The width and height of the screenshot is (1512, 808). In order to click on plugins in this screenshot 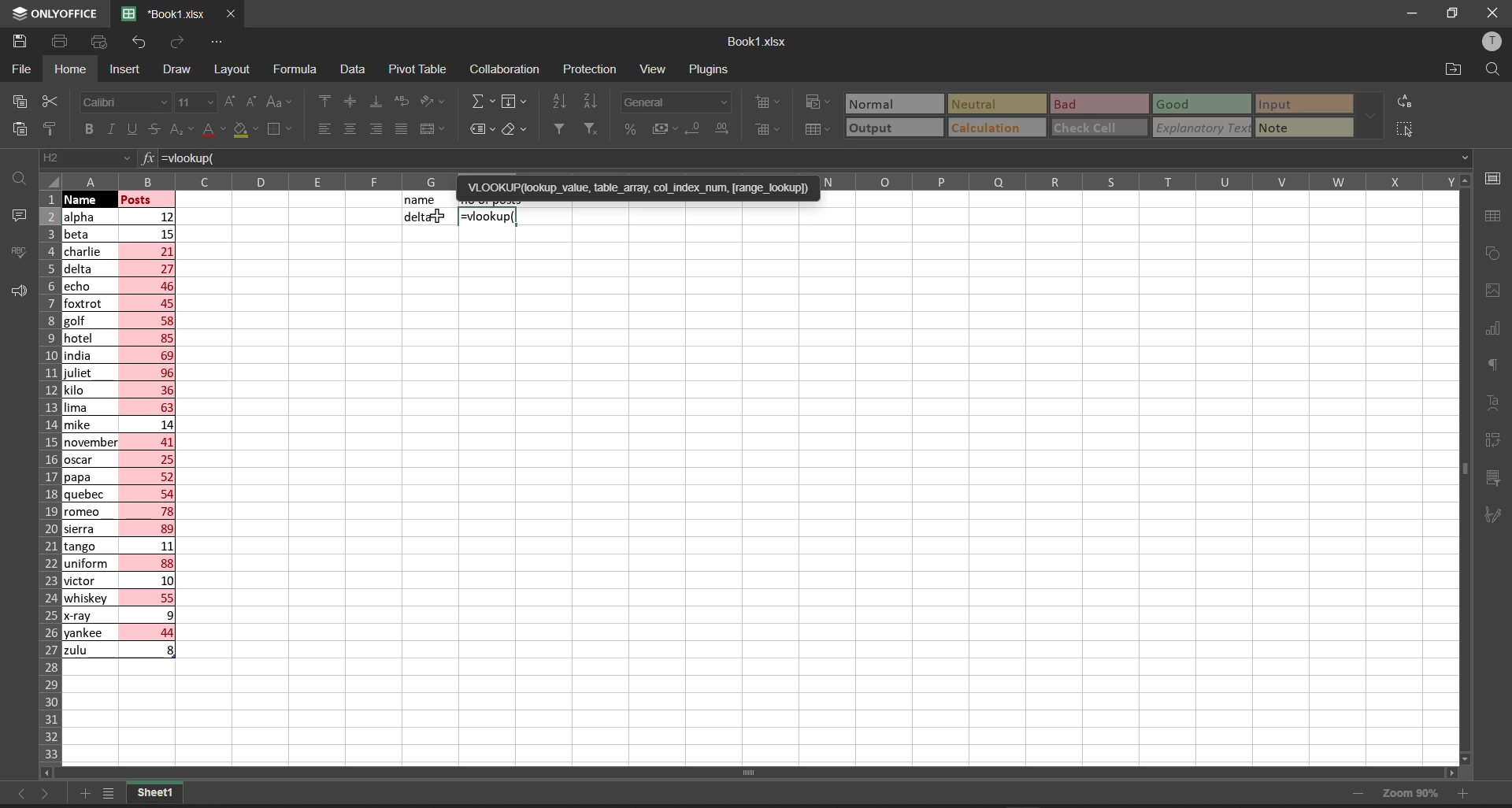, I will do `click(710, 69)`.